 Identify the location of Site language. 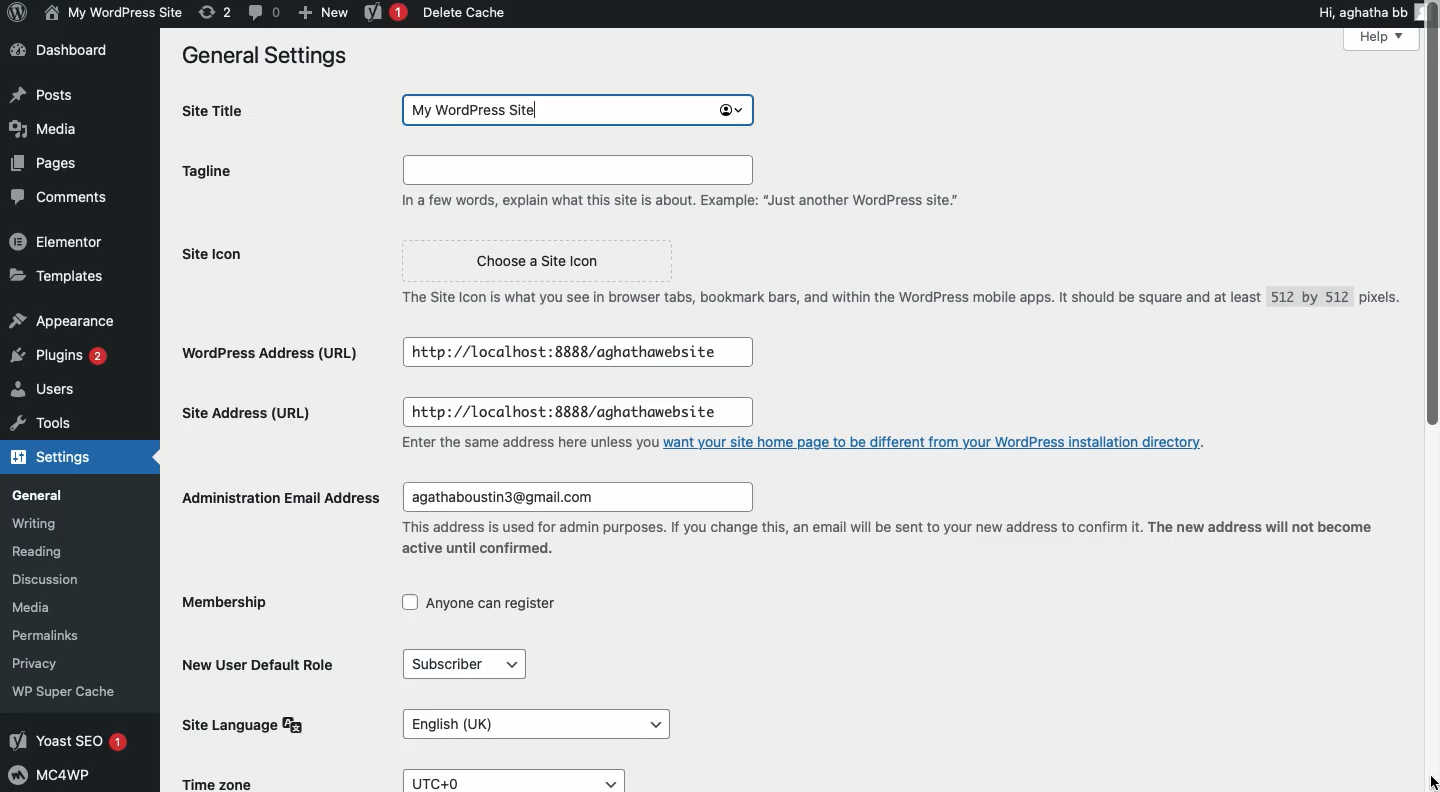
(251, 731).